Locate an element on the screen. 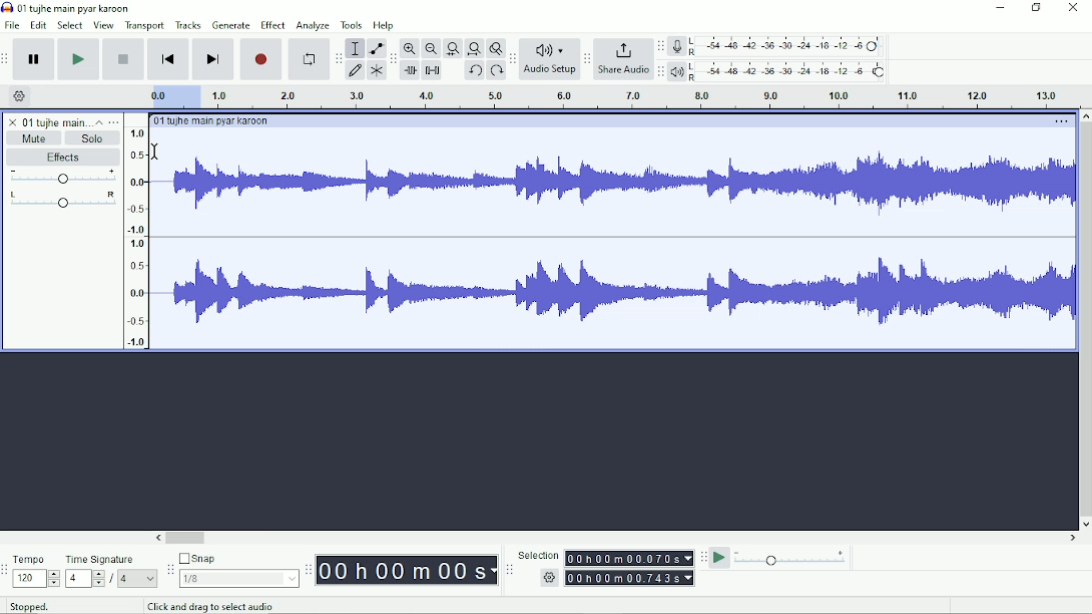  Audio Setup is located at coordinates (550, 72).